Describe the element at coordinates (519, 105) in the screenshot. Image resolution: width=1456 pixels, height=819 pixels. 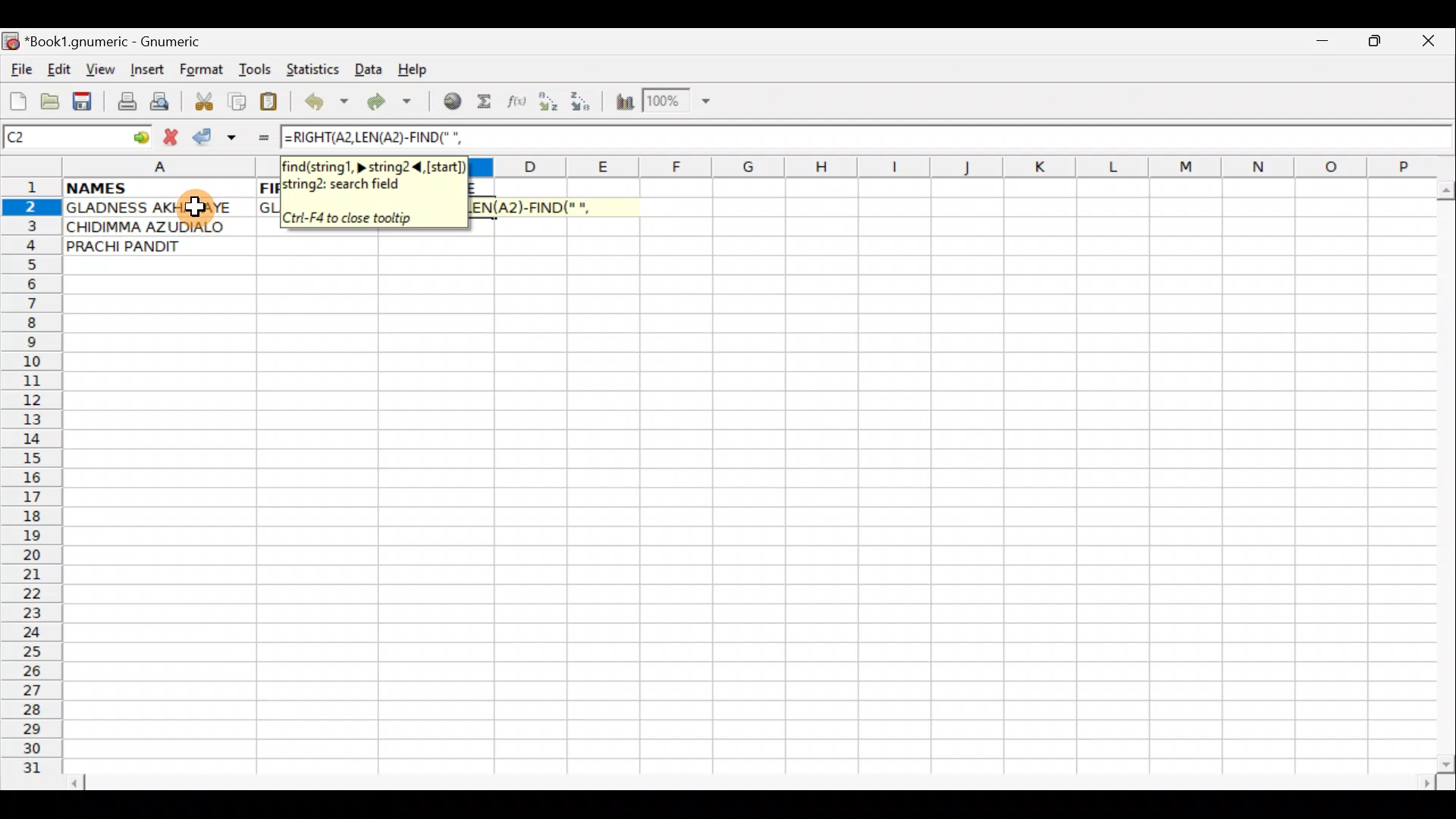
I see `Edit function in the current cell` at that location.